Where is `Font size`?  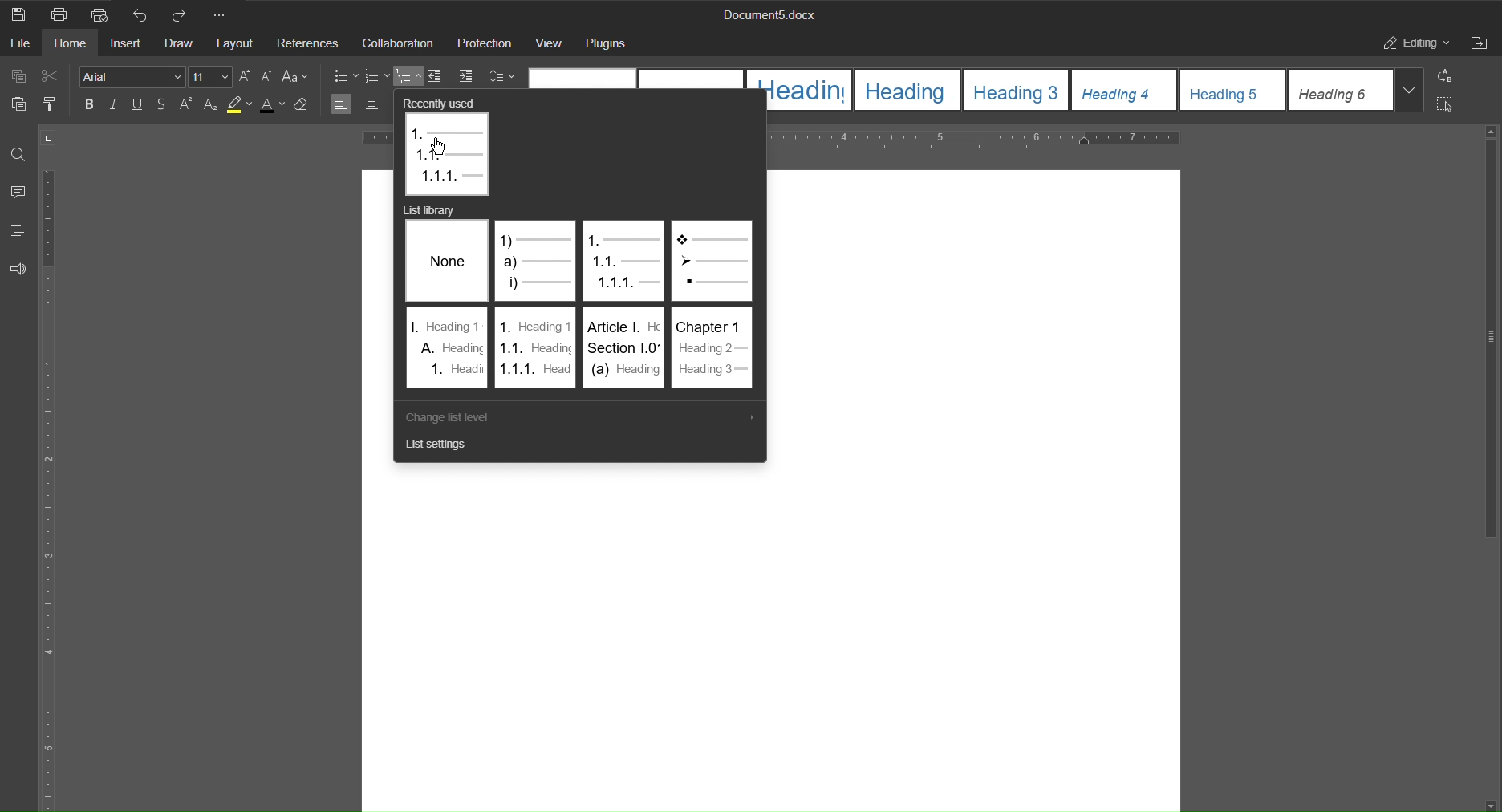
Font size is located at coordinates (211, 77).